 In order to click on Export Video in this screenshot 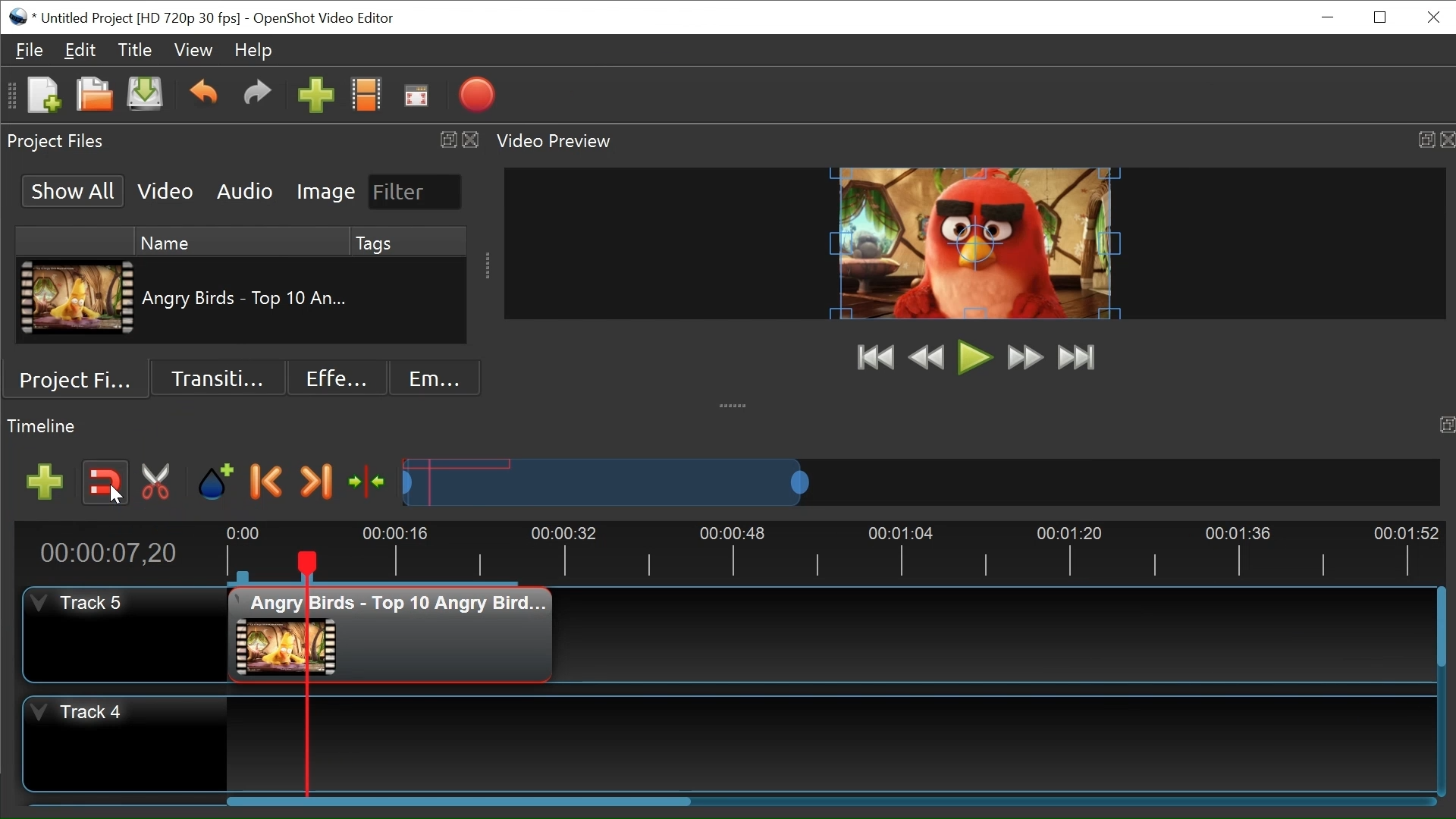, I will do `click(476, 95)`.